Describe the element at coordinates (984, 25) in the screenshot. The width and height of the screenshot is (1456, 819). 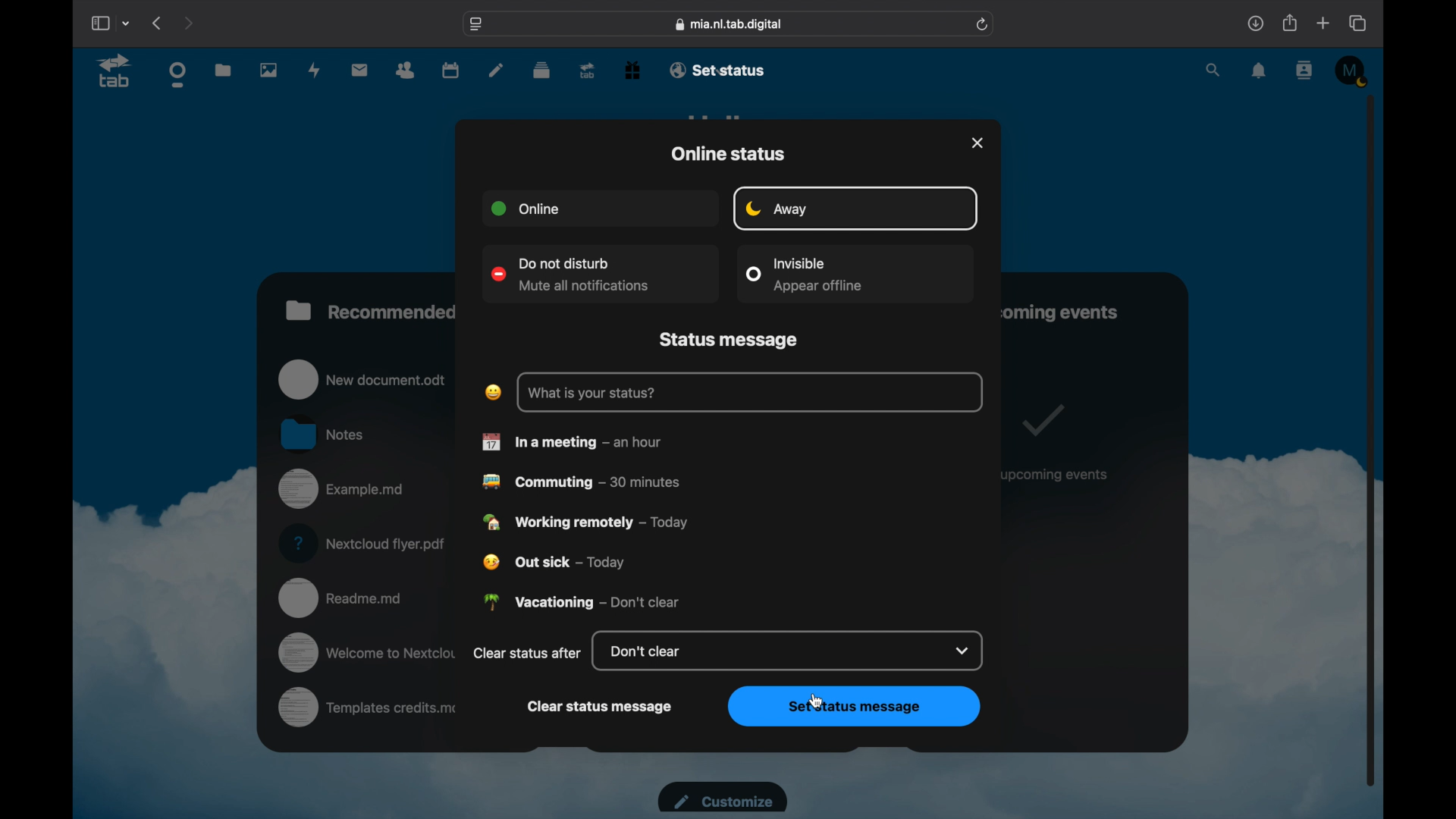
I see `refresh` at that location.